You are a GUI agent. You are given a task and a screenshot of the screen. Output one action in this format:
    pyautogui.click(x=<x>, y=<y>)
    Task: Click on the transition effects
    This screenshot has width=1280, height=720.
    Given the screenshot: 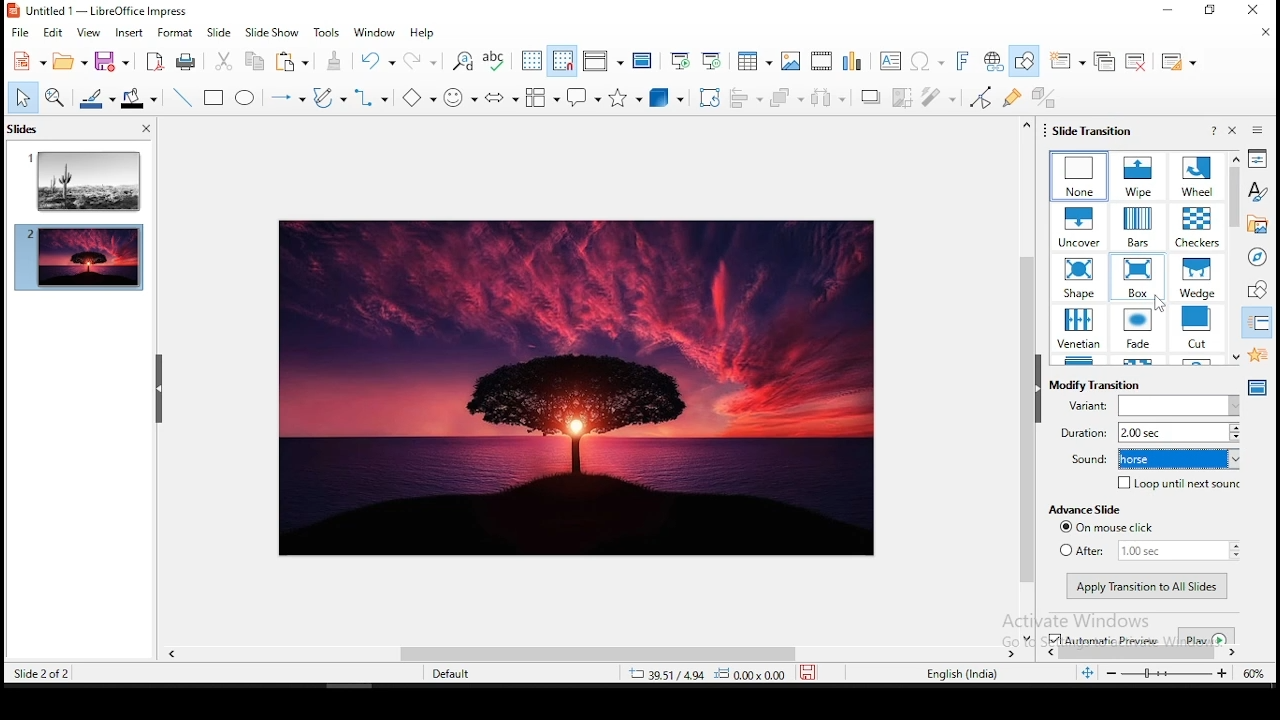 What is the action you would take?
    pyautogui.click(x=1195, y=227)
    